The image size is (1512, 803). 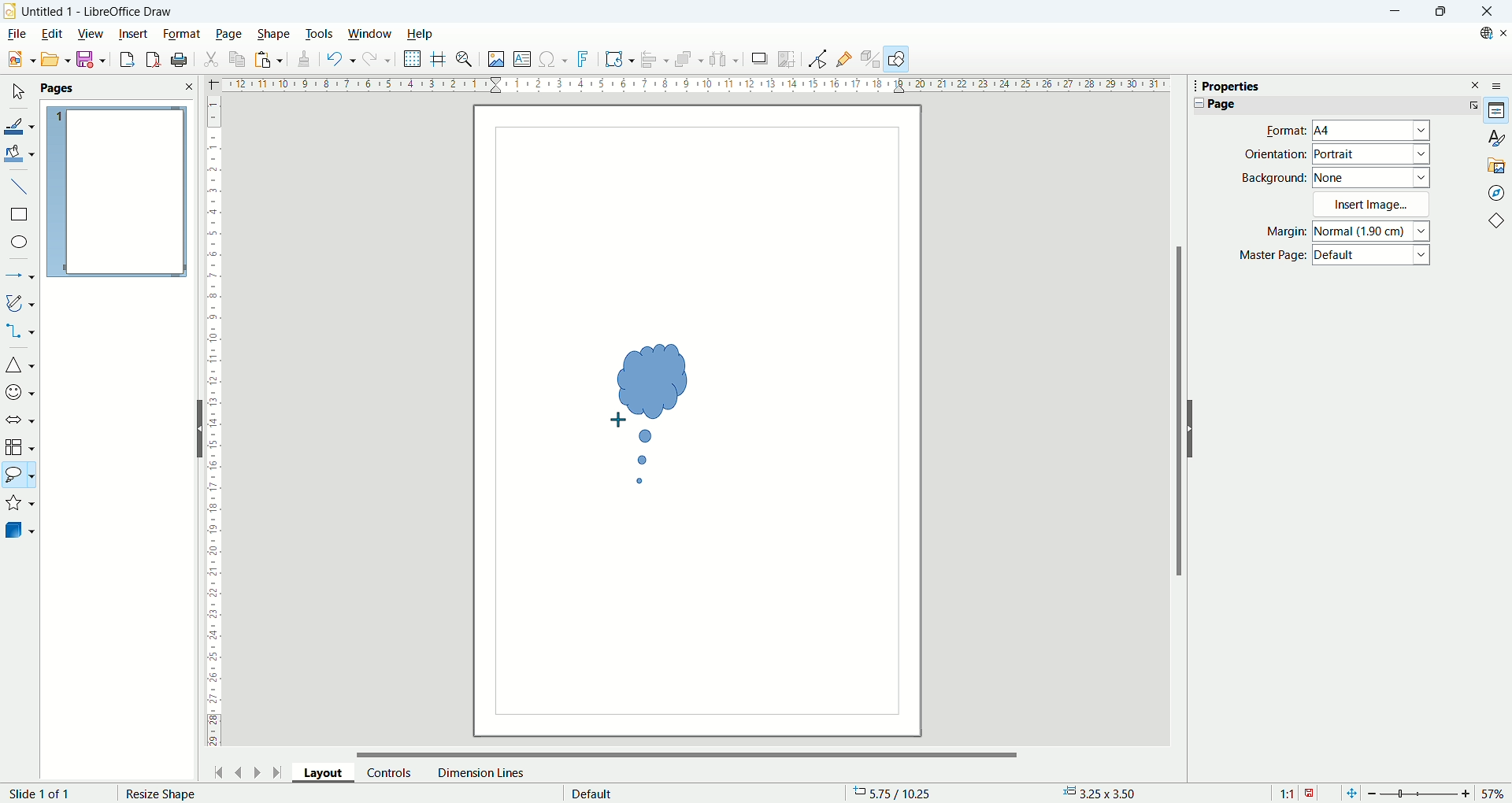 I want to click on rectangle, so click(x=18, y=215).